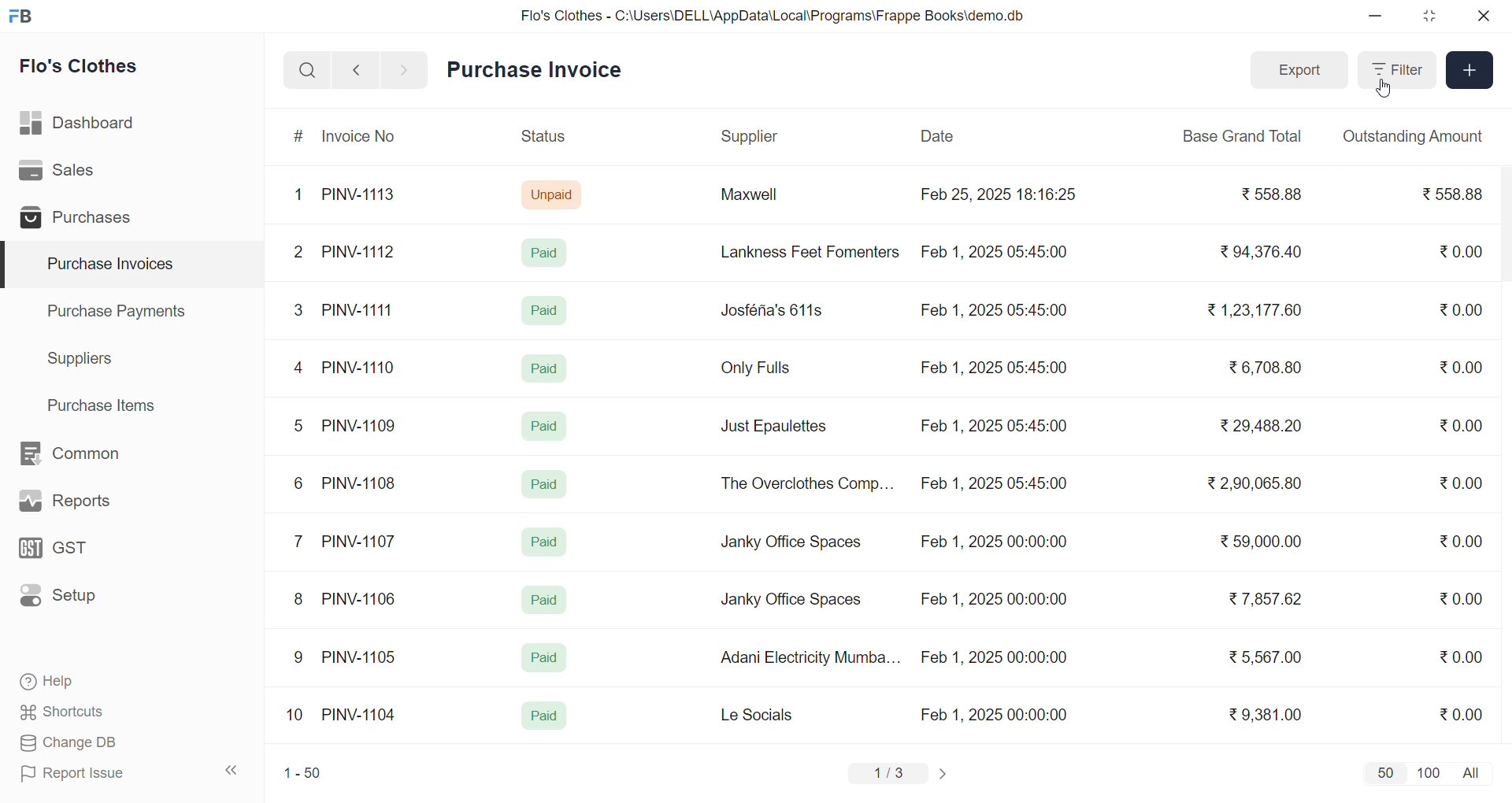  I want to click on 10, so click(298, 716).